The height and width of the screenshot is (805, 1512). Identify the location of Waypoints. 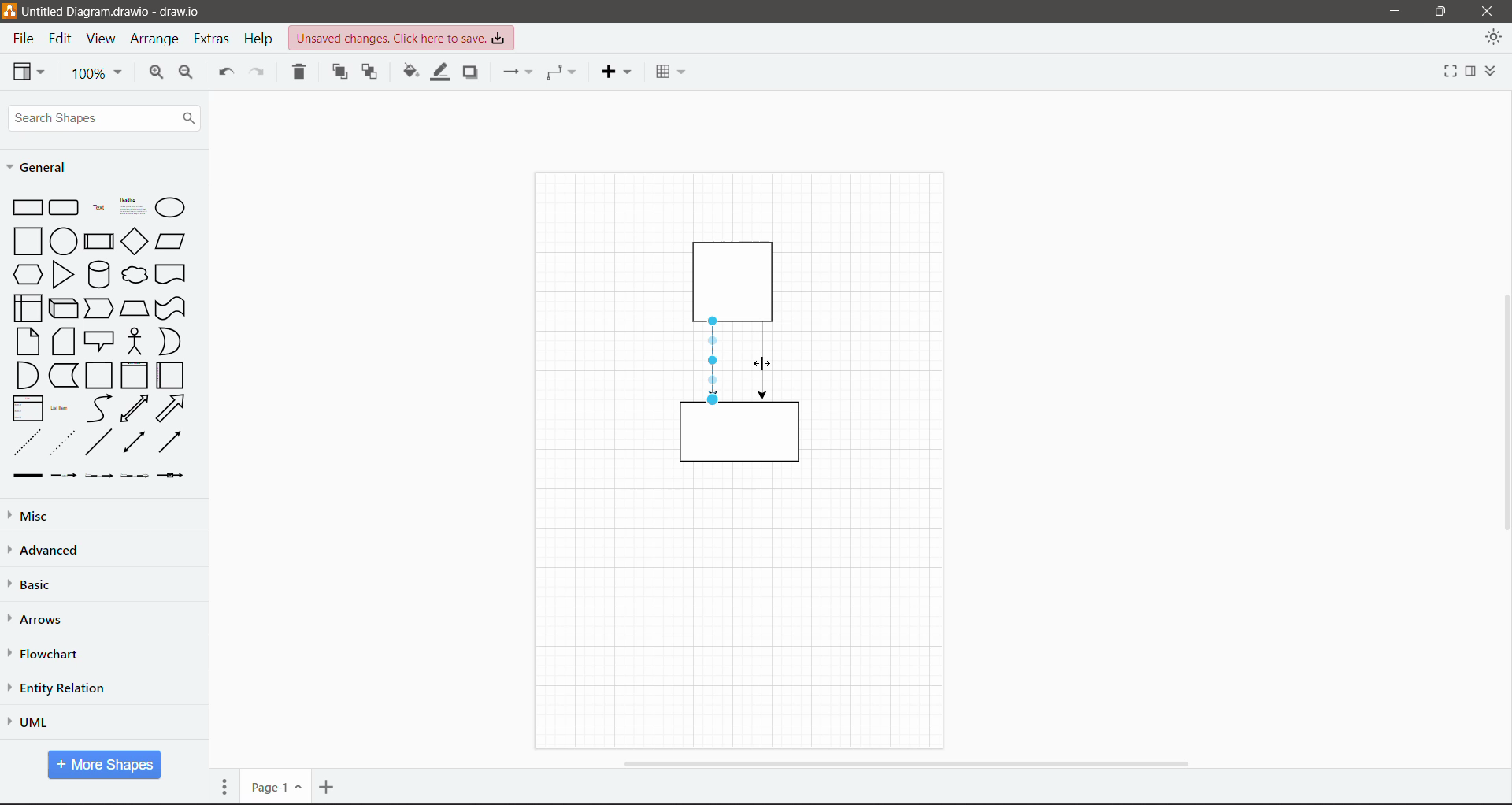
(562, 72).